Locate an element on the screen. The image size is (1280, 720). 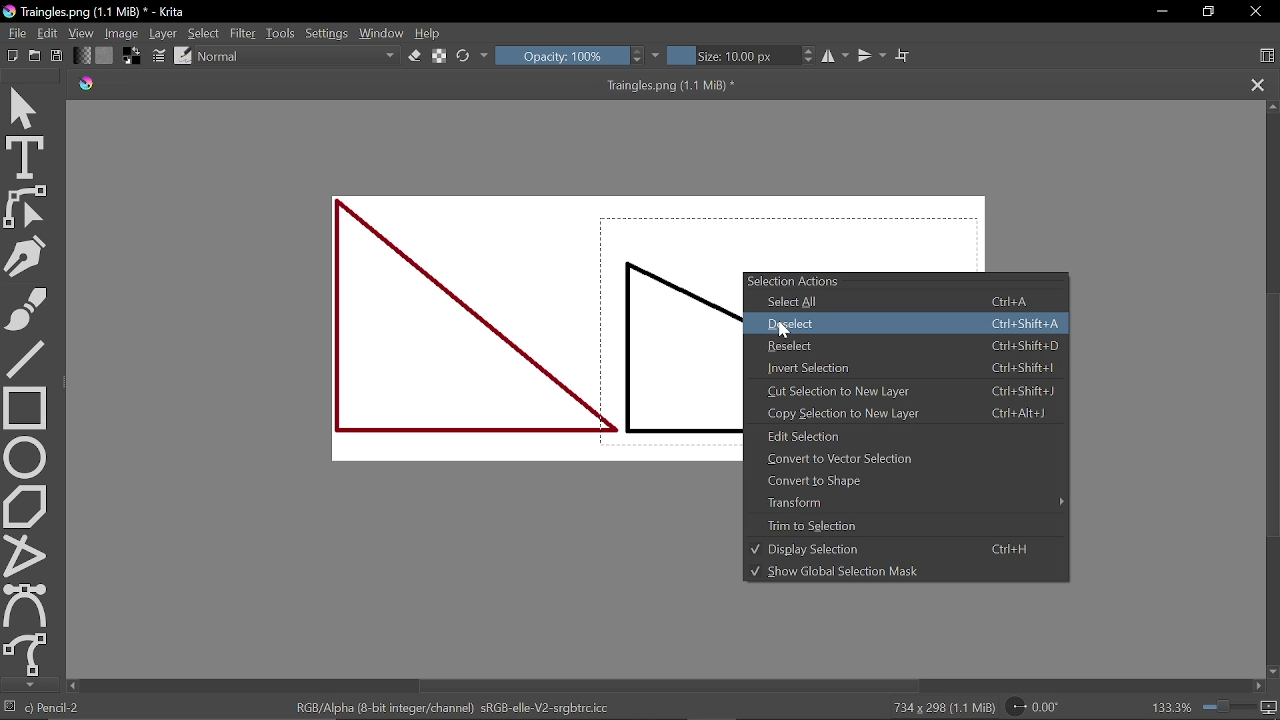
View is located at coordinates (82, 33).